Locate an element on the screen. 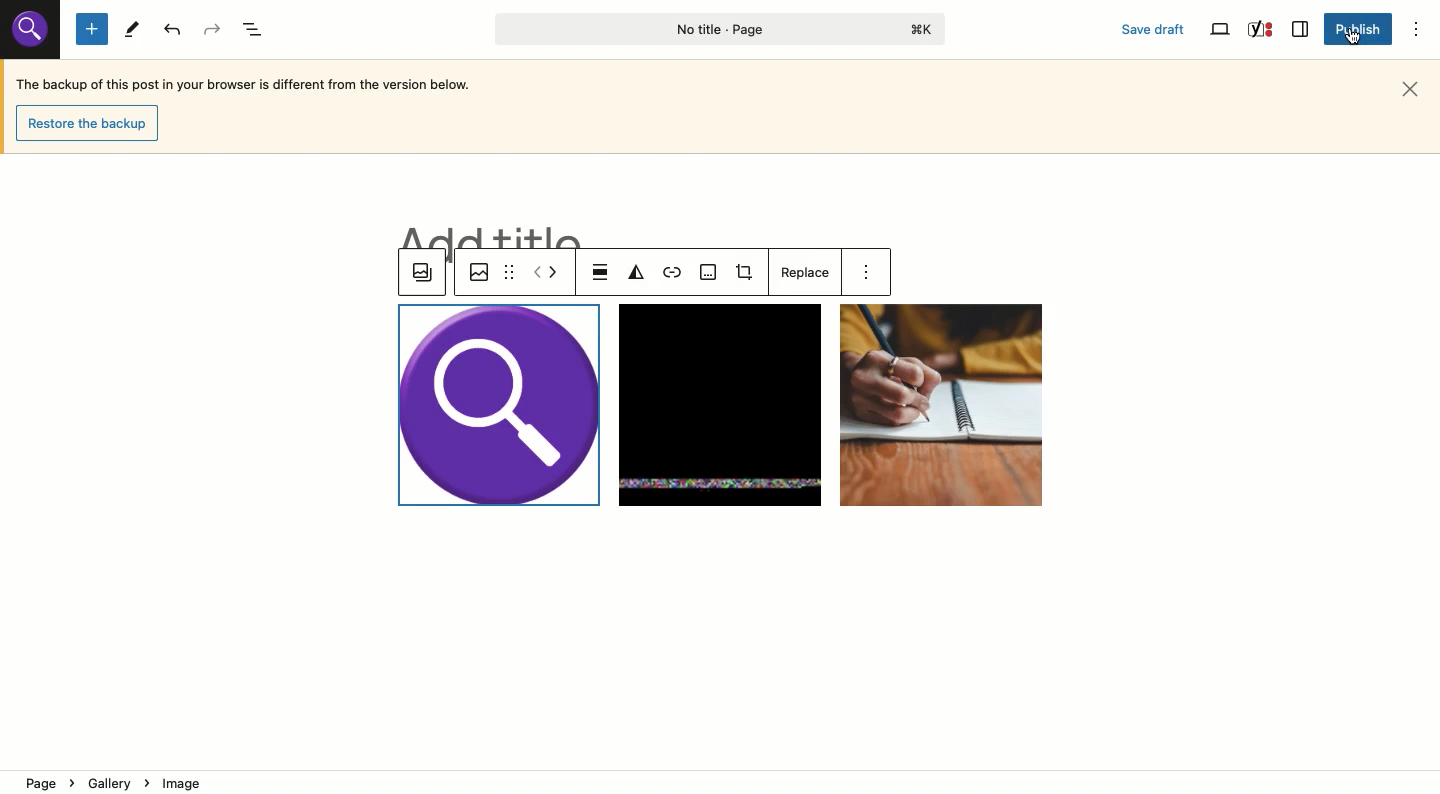 This screenshot has width=1440, height=794. Document overview is located at coordinates (256, 29).